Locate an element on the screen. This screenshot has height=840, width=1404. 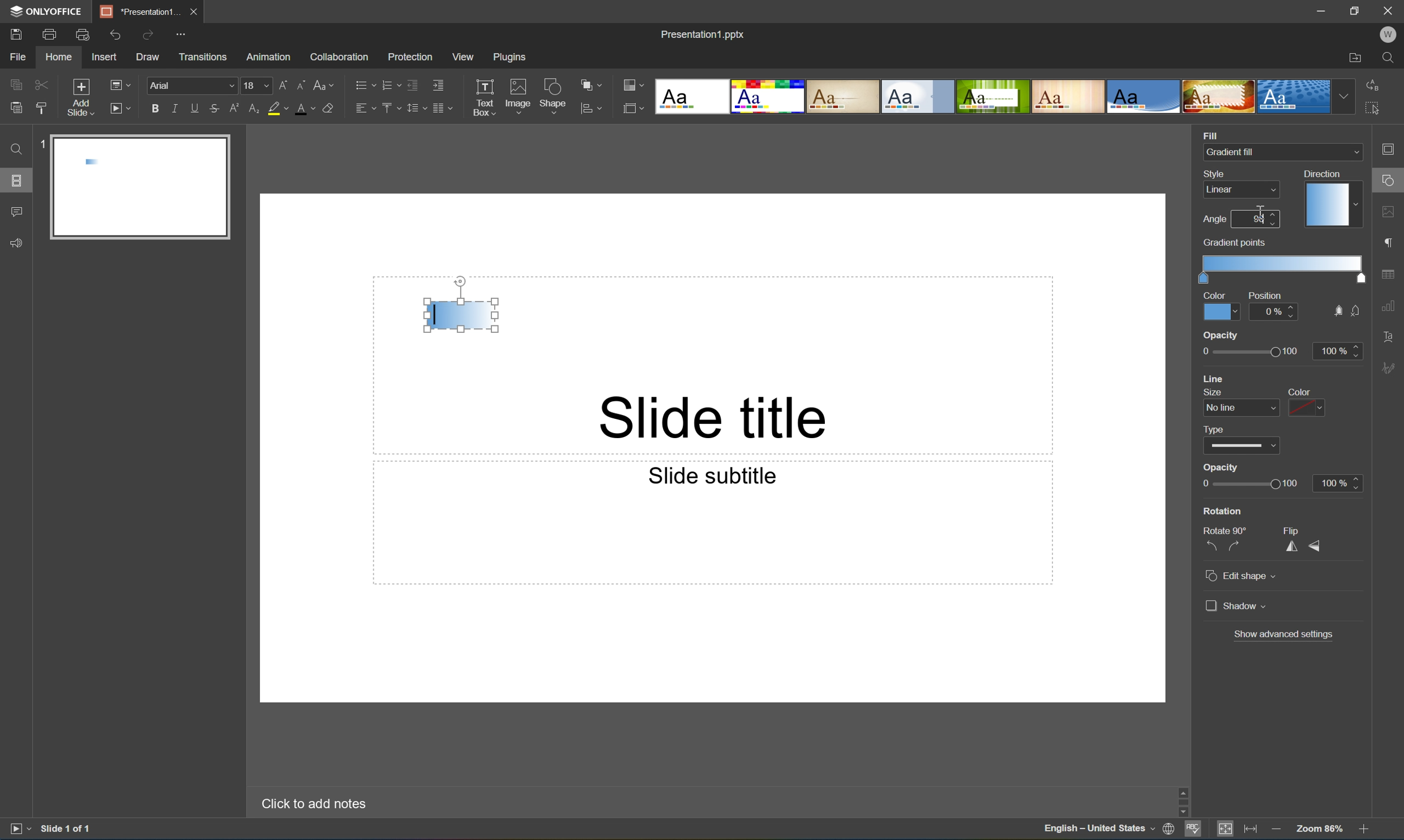
Decrement font size is located at coordinates (300, 83).